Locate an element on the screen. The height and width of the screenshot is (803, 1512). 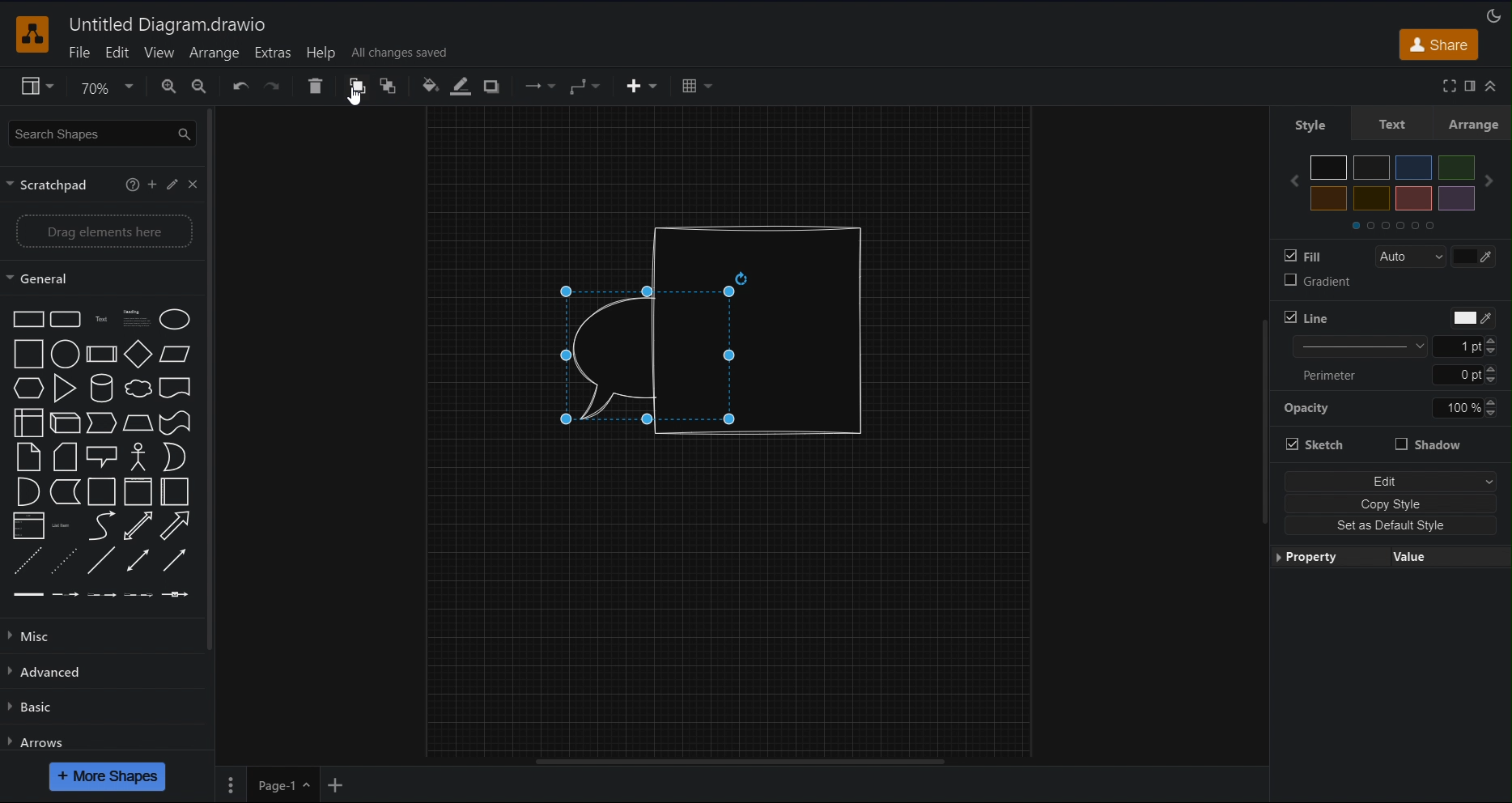
Callout is located at coordinates (103, 457).